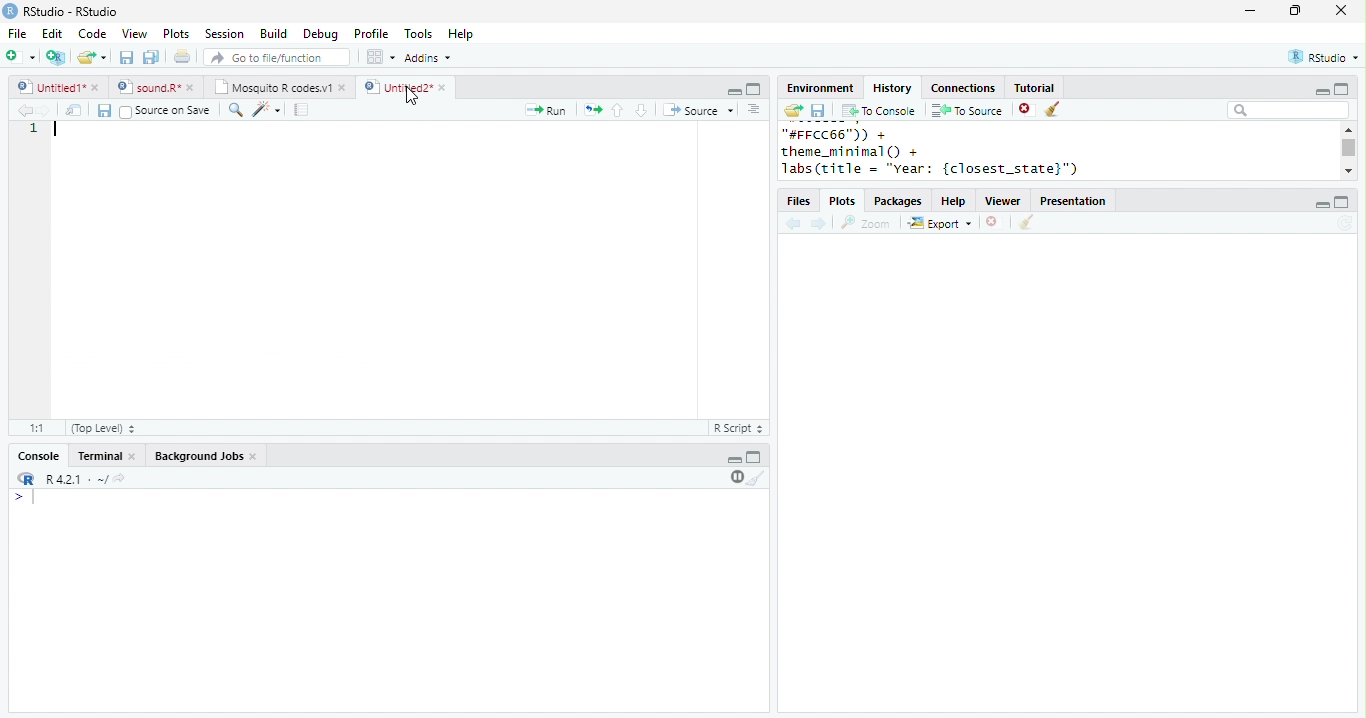 Image resolution: width=1366 pixels, height=718 pixels. What do you see at coordinates (97, 457) in the screenshot?
I see `terminal` at bounding box center [97, 457].